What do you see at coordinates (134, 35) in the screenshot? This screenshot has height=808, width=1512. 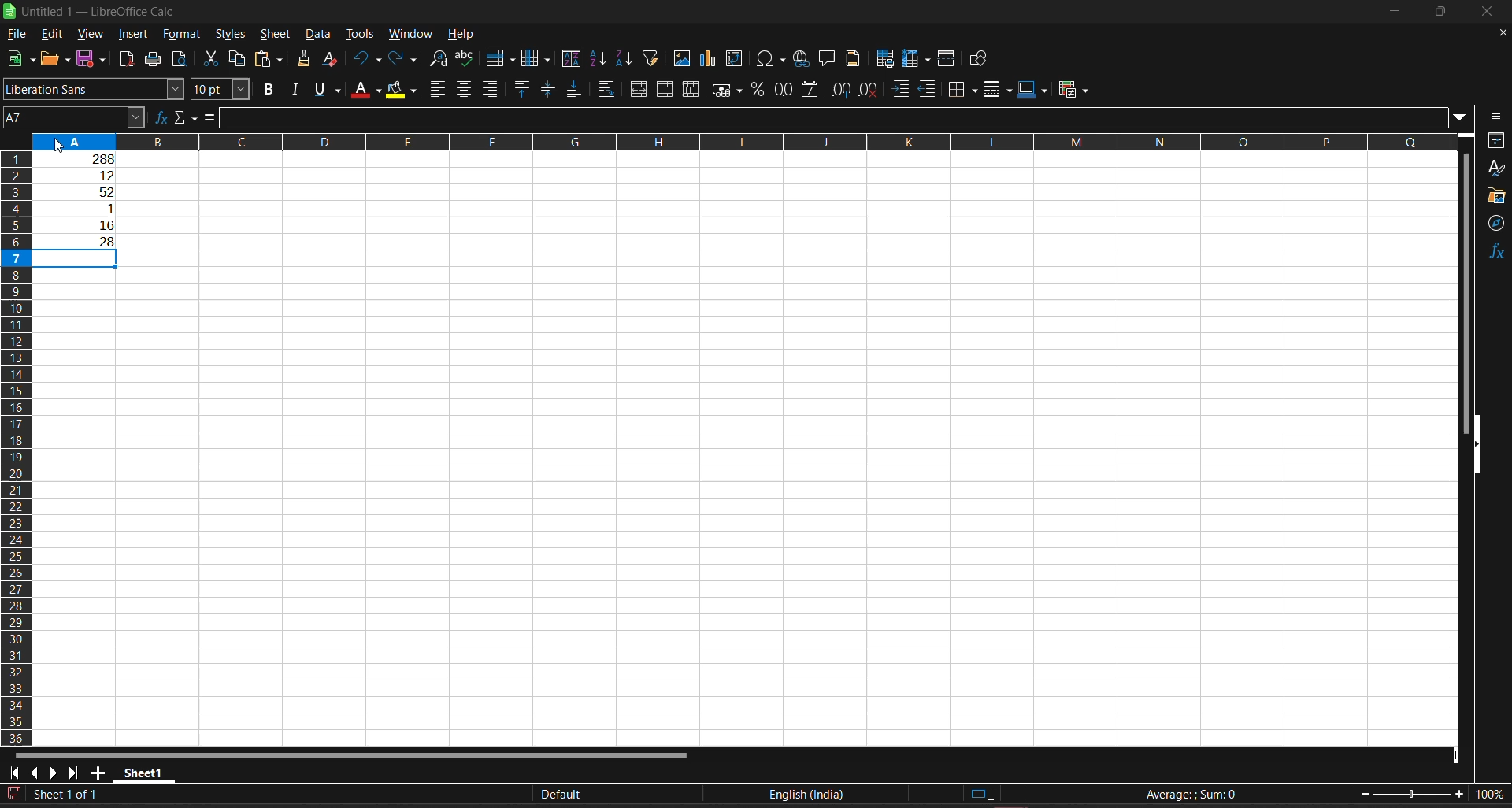 I see `insert` at bounding box center [134, 35].